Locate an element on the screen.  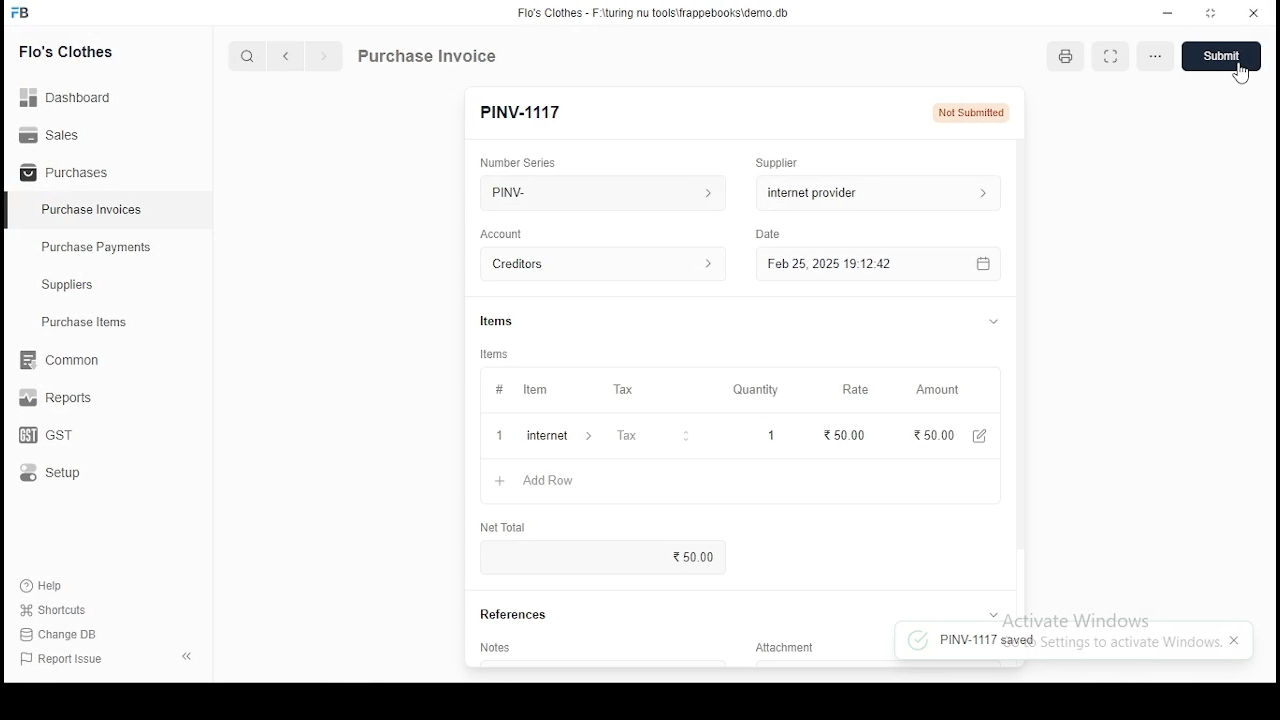
Rate is located at coordinates (857, 389).